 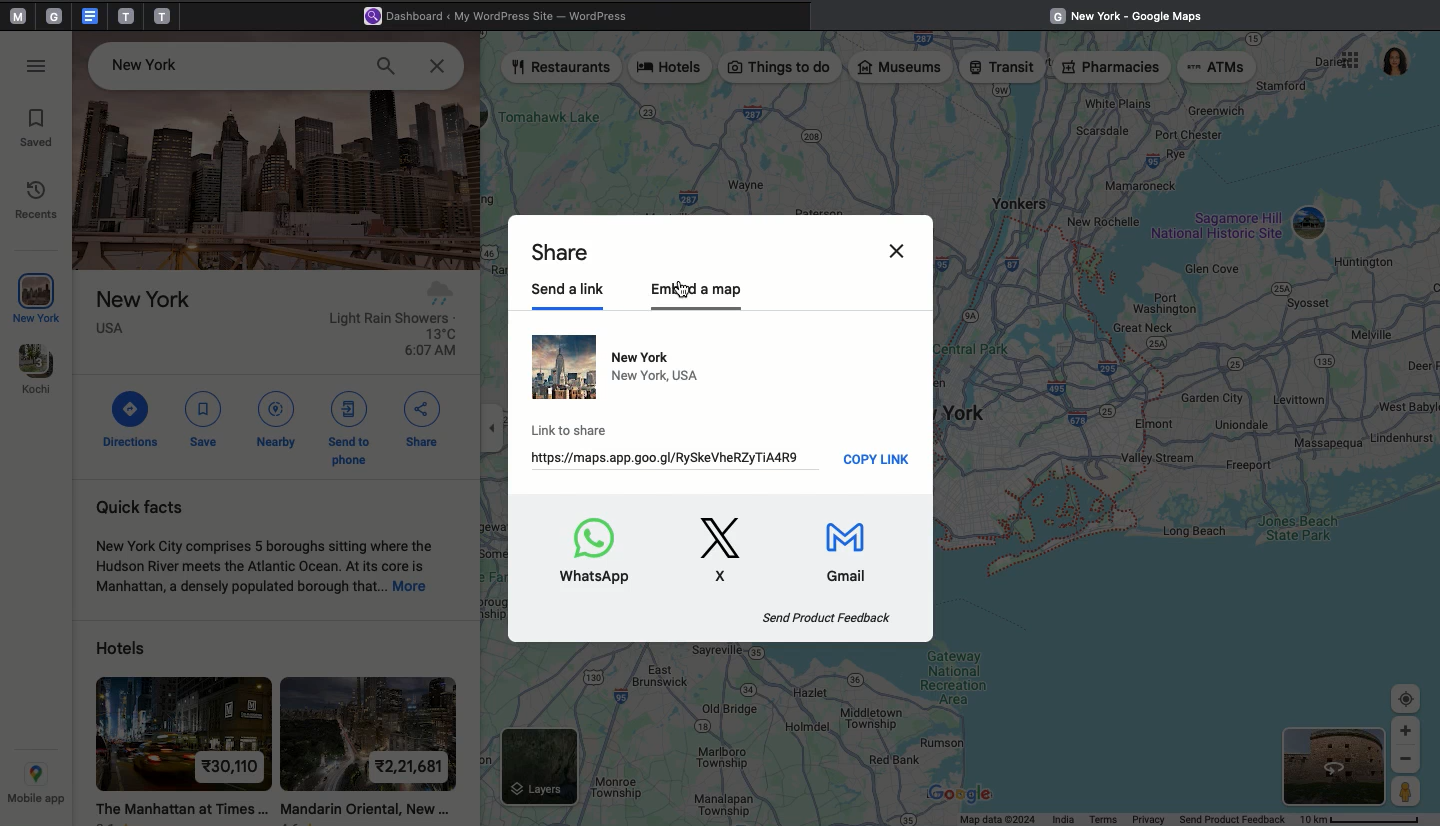 I want to click on Close, so click(x=434, y=66).